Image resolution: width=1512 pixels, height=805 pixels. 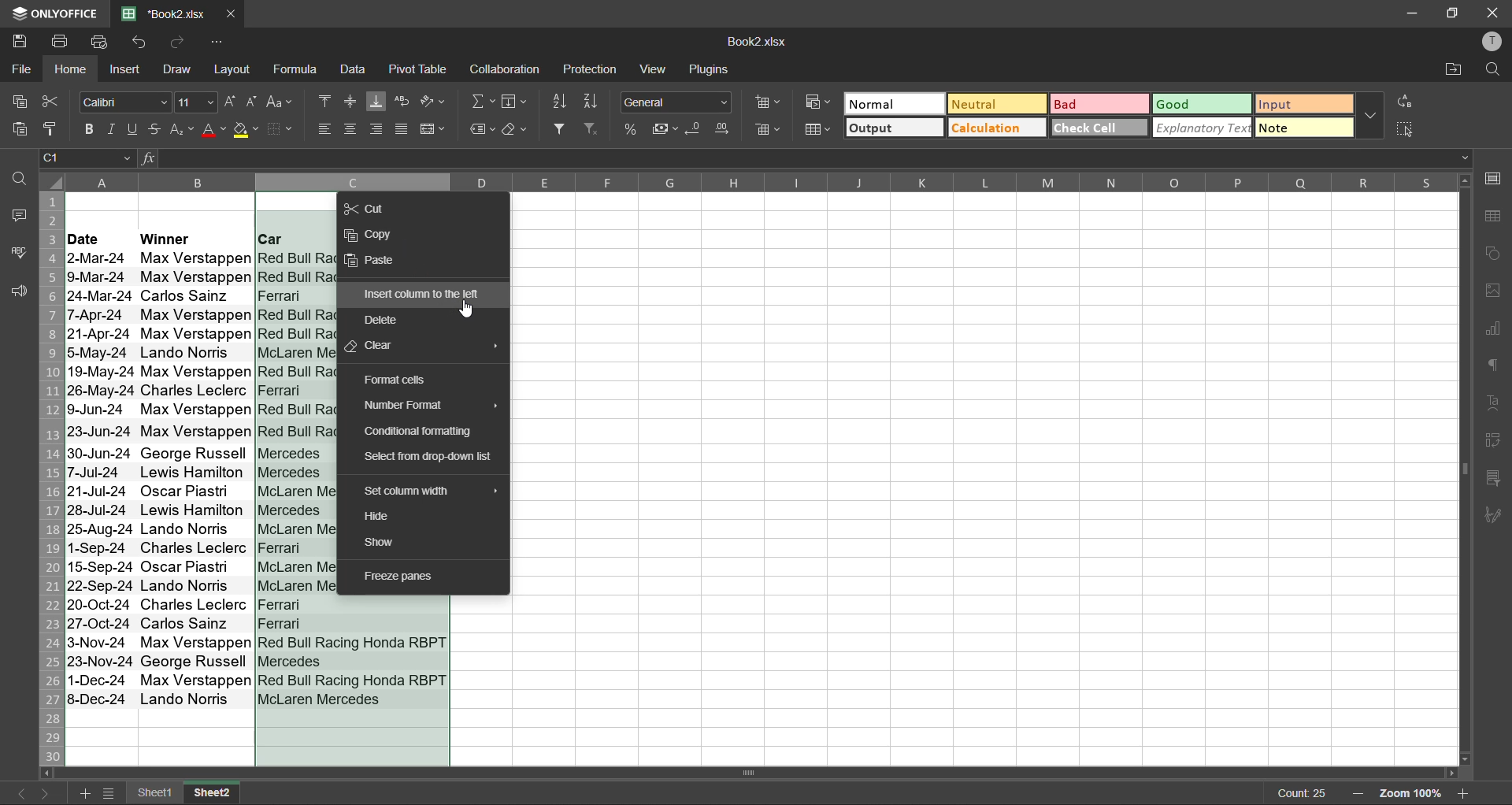 What do you see at coordinates (436, 129) in the screenshot?
I see `merge and center` at bounding box center [436, 129].